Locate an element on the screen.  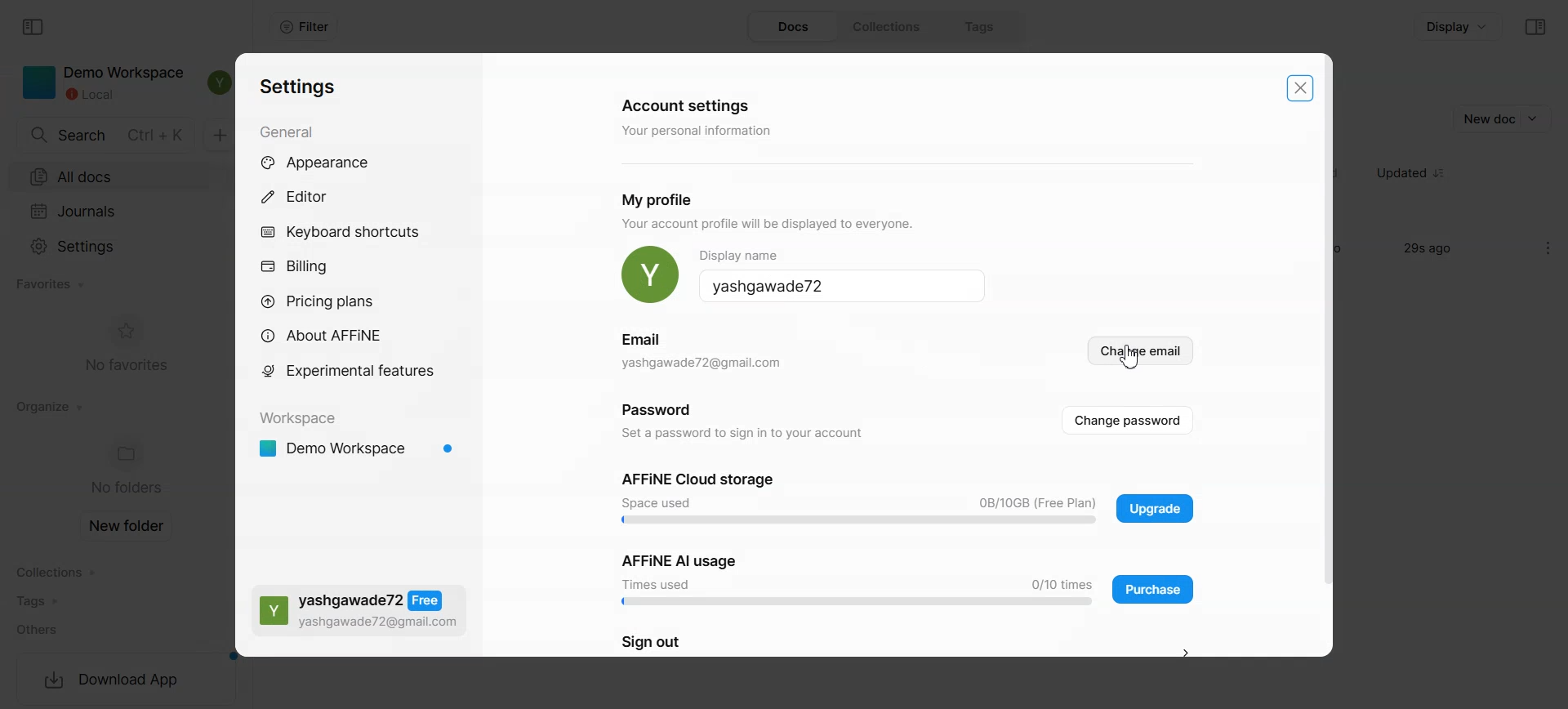
Cursor is located at coordinates (1130, 357).